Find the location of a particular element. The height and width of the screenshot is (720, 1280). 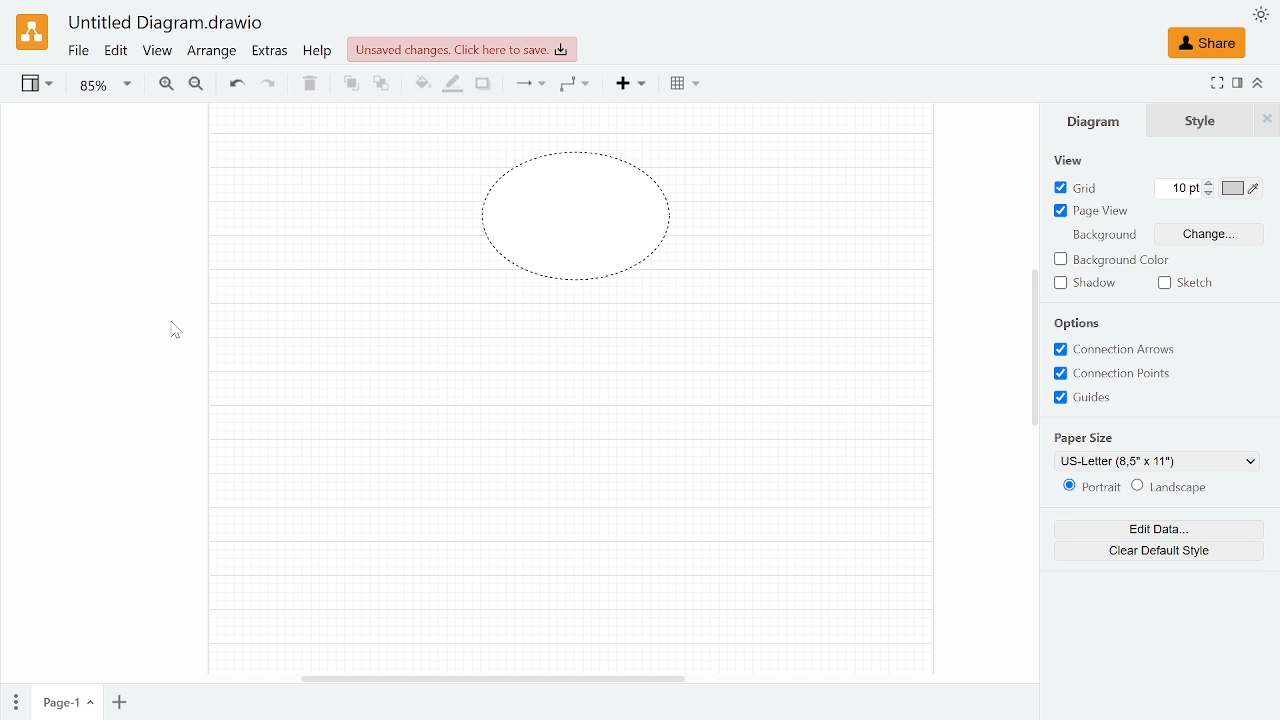

paper size is located at coordinates (1089, 438).